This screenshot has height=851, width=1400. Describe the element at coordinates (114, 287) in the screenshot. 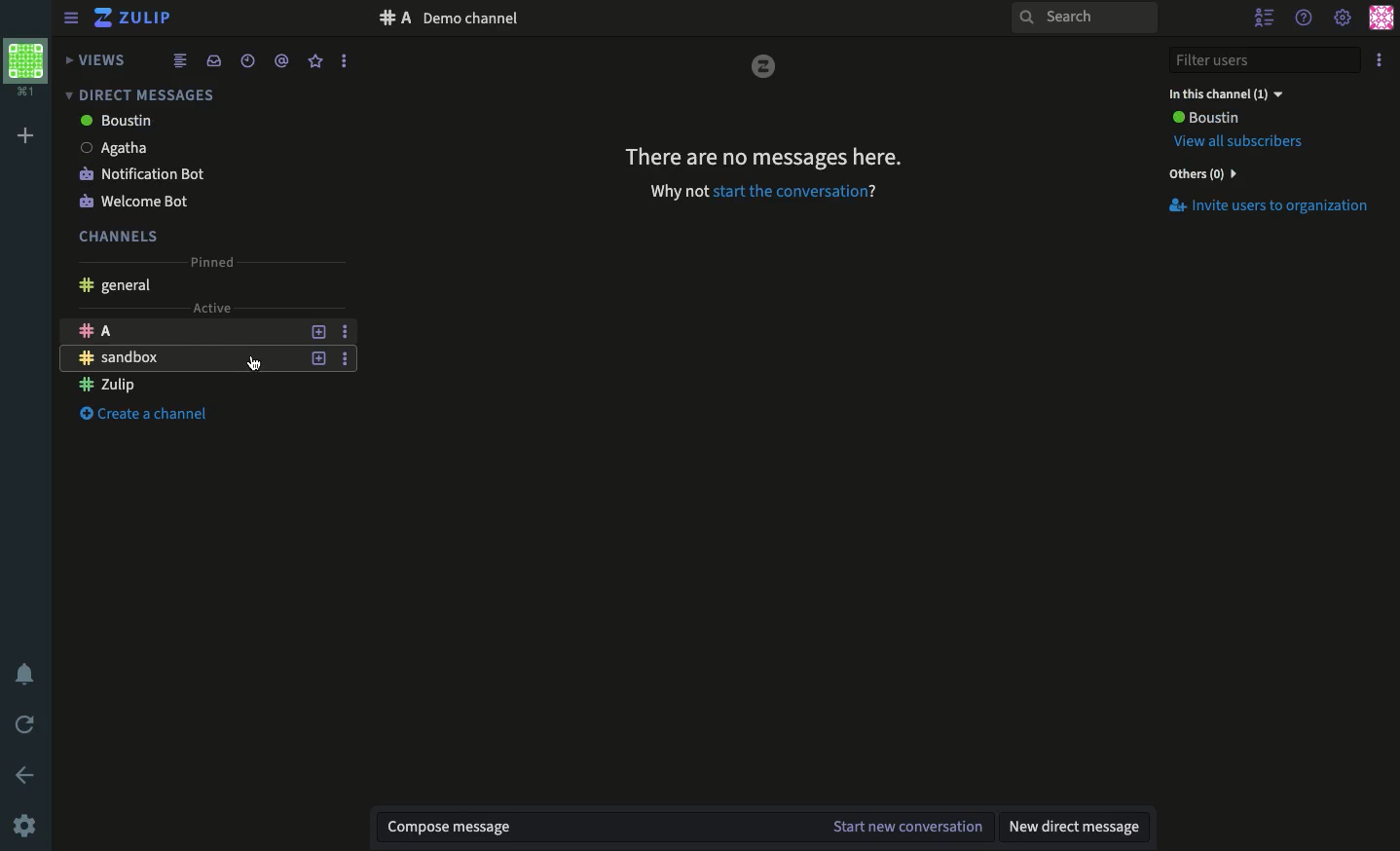

I see `General` at that location.